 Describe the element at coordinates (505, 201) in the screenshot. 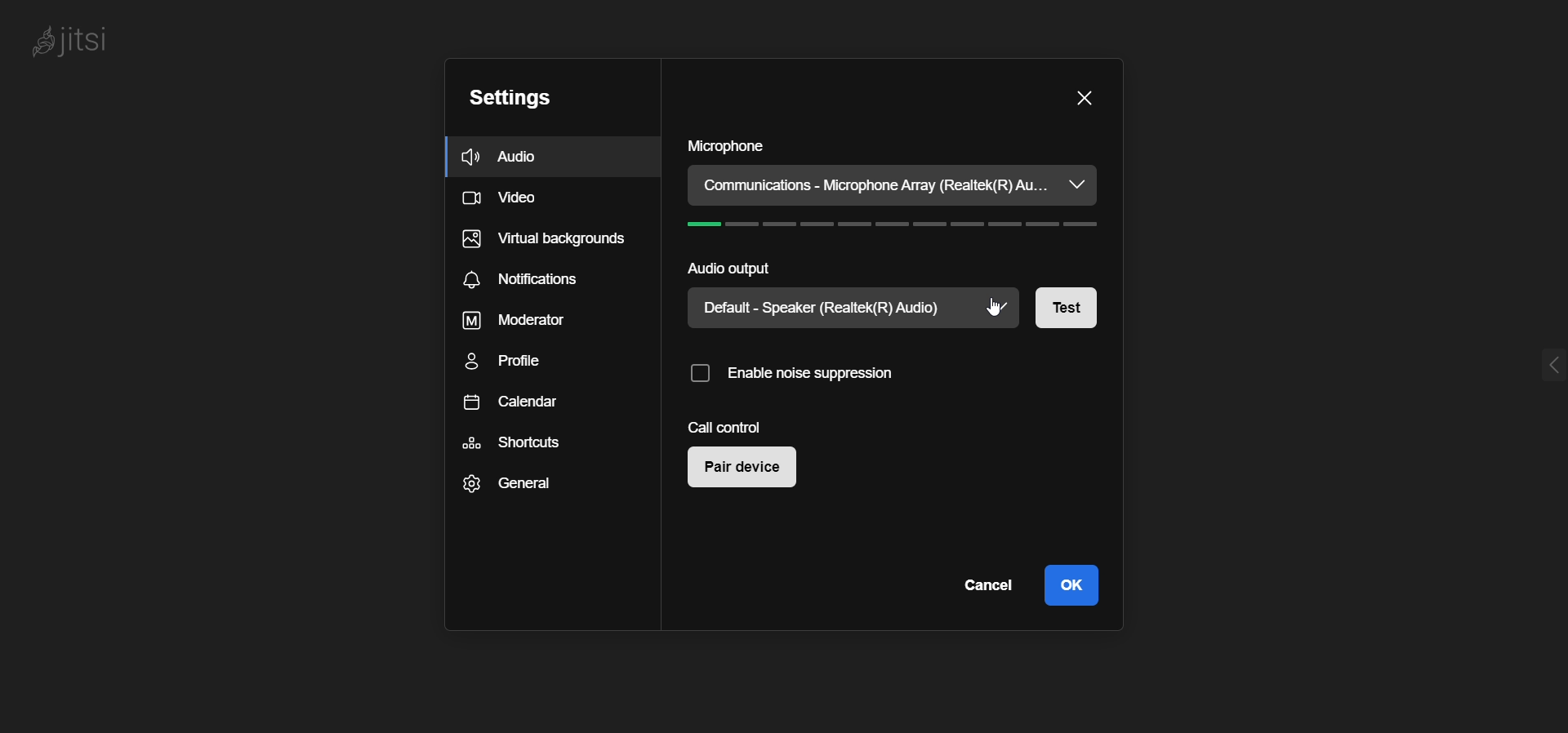

I see `video` at that location.